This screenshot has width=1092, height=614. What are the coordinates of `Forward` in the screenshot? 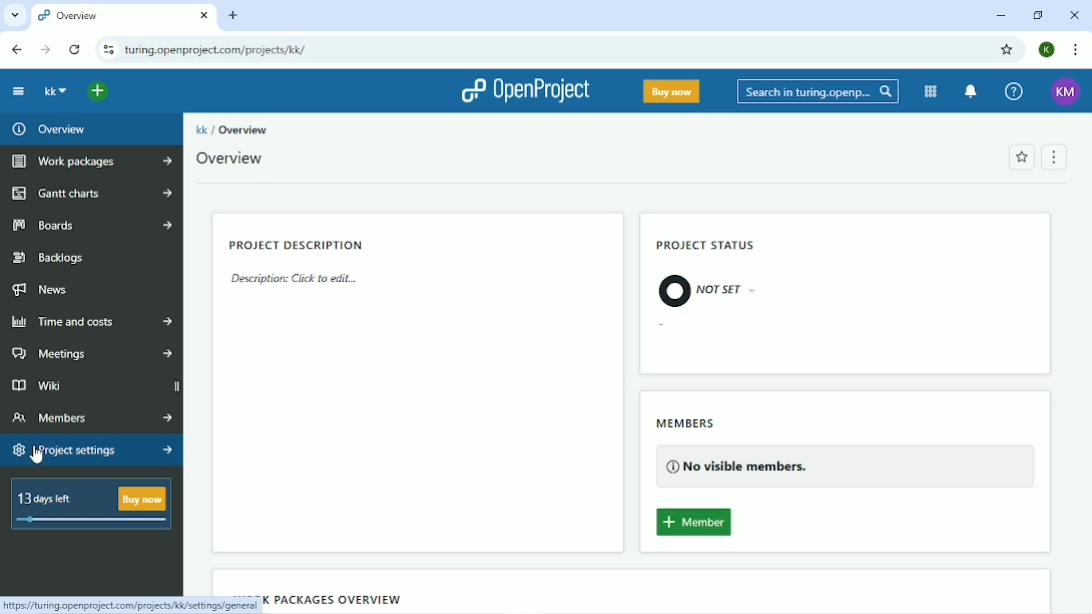 It's located at (46, 50).